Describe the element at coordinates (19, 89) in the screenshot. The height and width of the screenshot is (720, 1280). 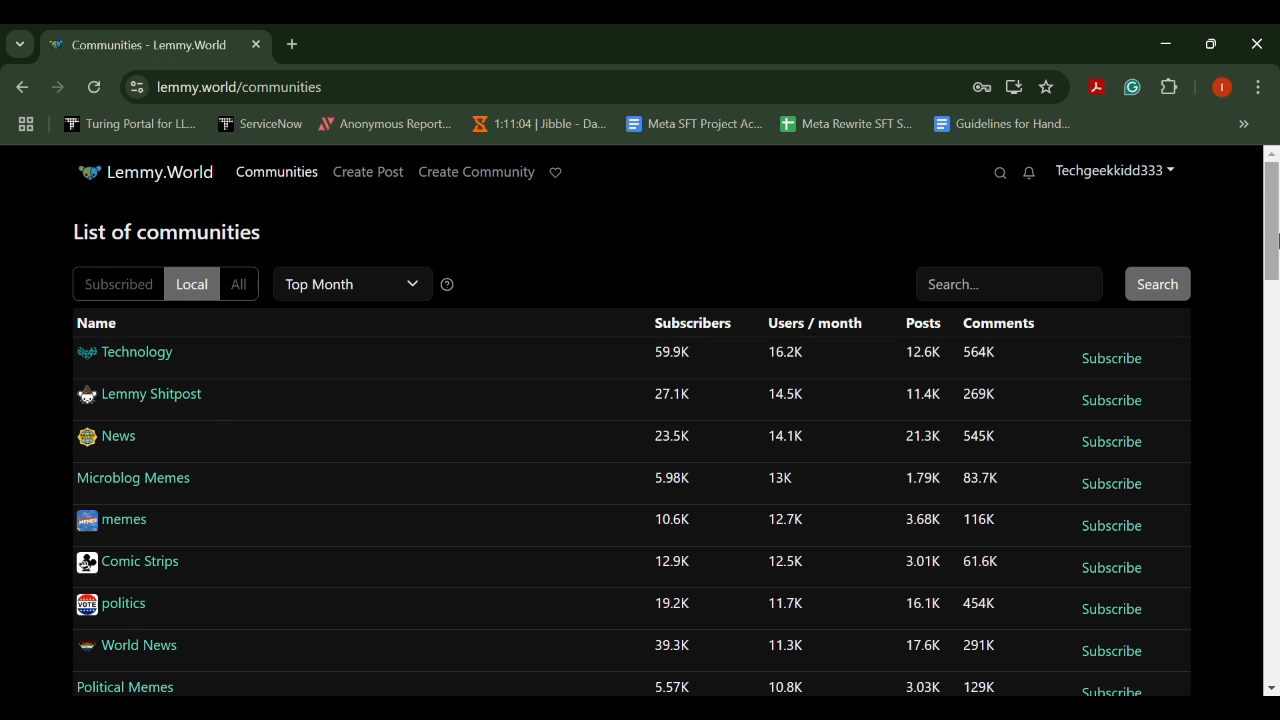
I see `Previous Webpage` at that location.